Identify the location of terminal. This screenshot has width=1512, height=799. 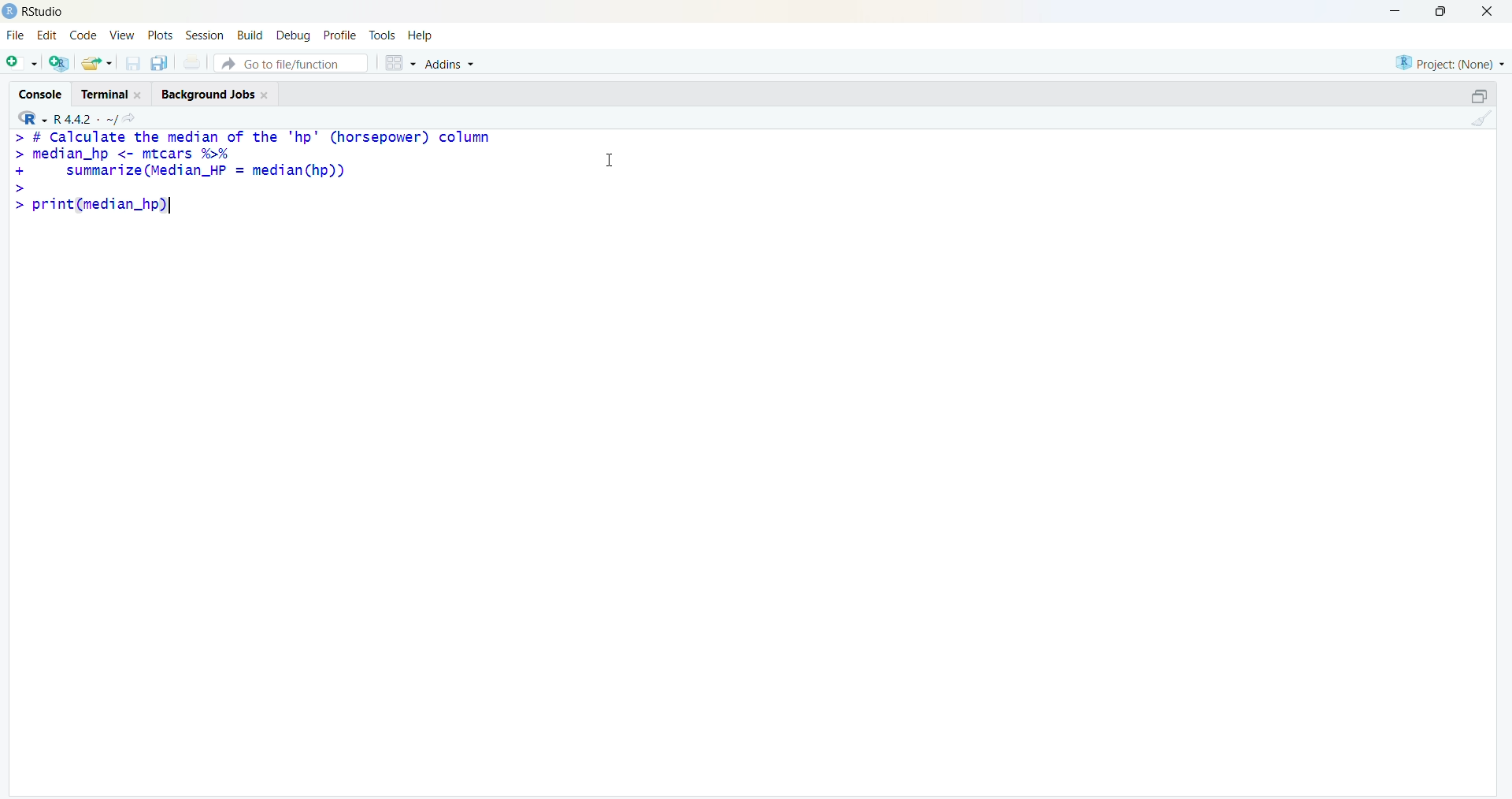
(106, 95).